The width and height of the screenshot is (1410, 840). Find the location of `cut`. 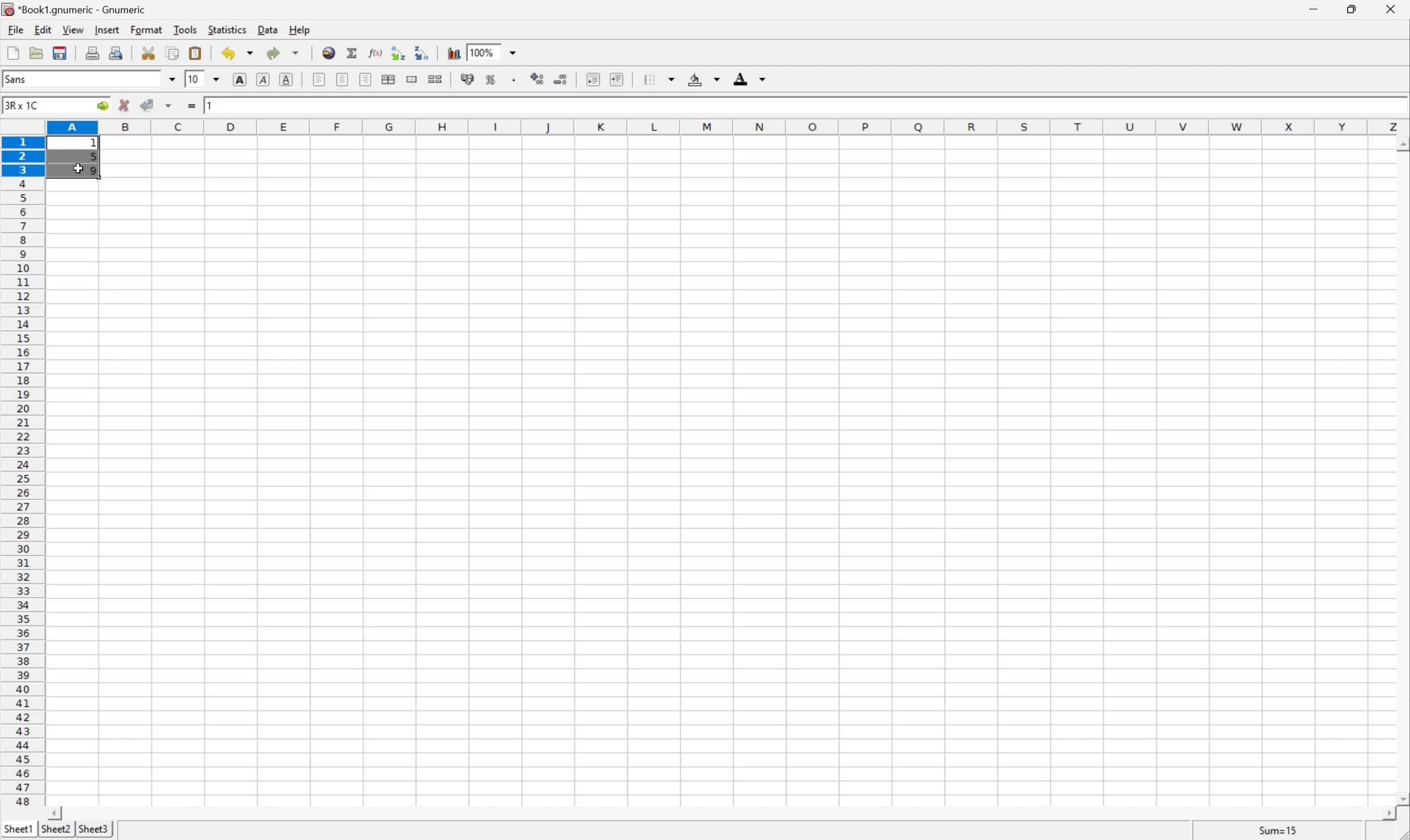

cut is located at coordinates (148, 52).